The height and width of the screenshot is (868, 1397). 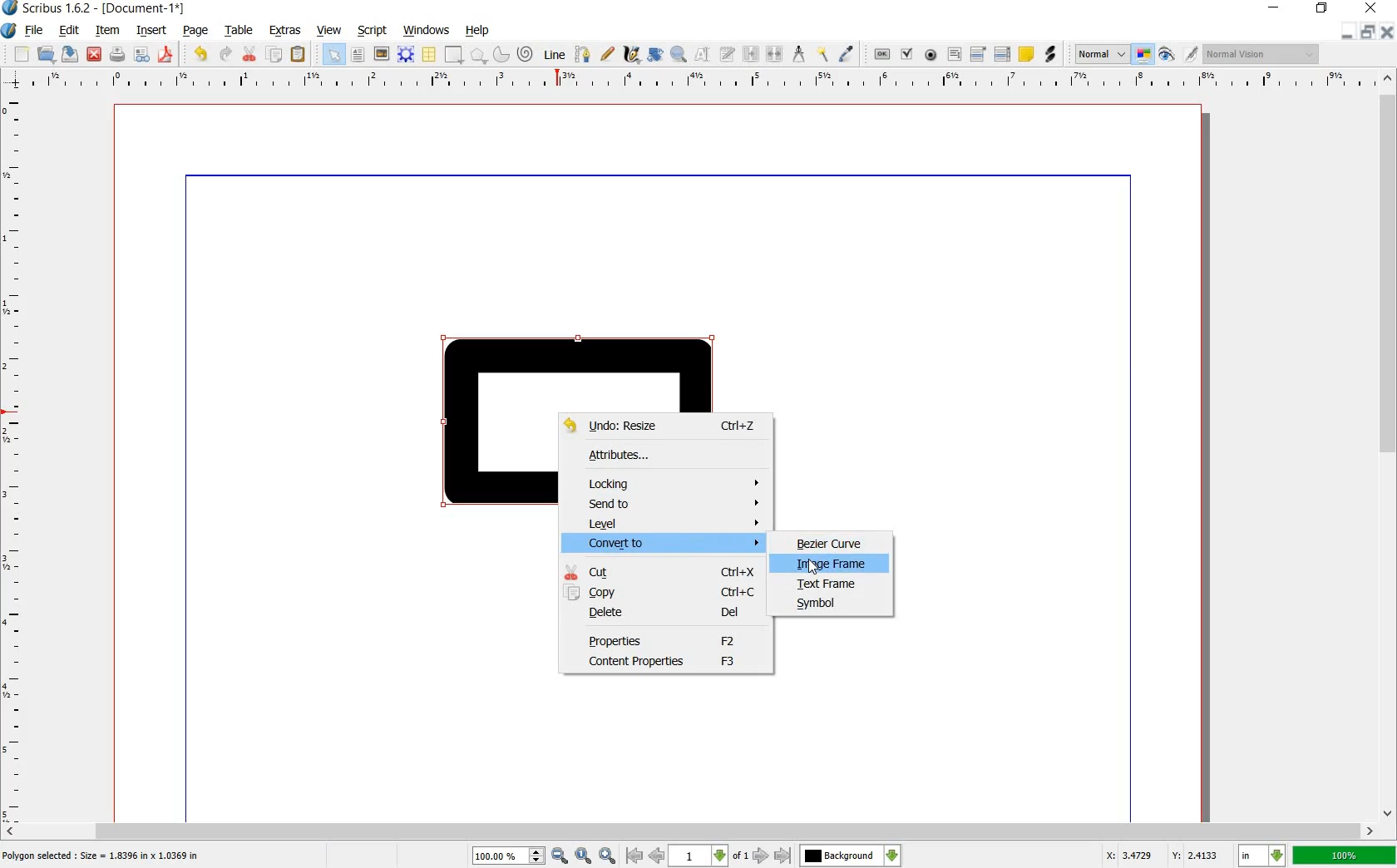 What do you see at coordinates (664, 426) in the screenshot?
I see `Undo: Resize Ctrl+Z` at bounding box center [664, 426].